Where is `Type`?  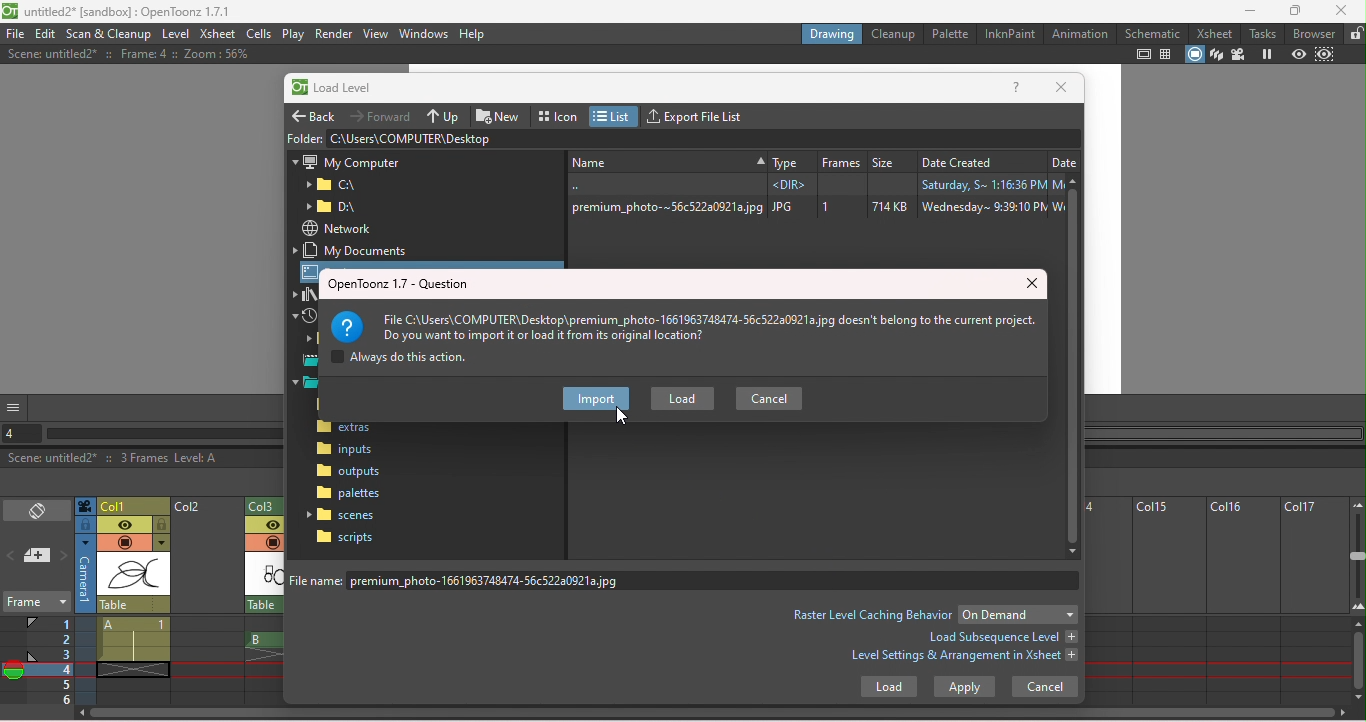
Type is located at coordinates (790, 159).